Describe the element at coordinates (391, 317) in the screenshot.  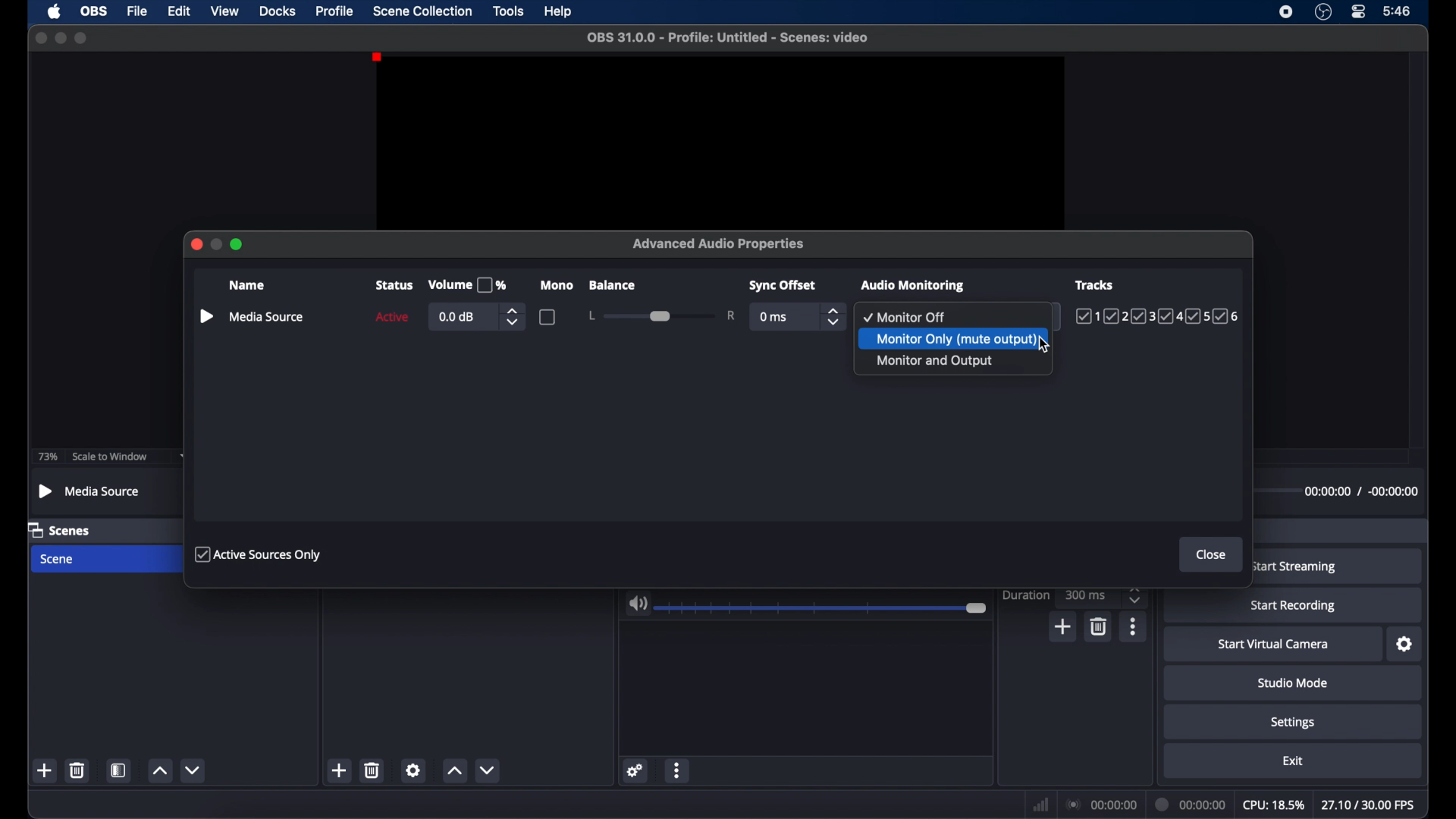
I see `active` at that location.